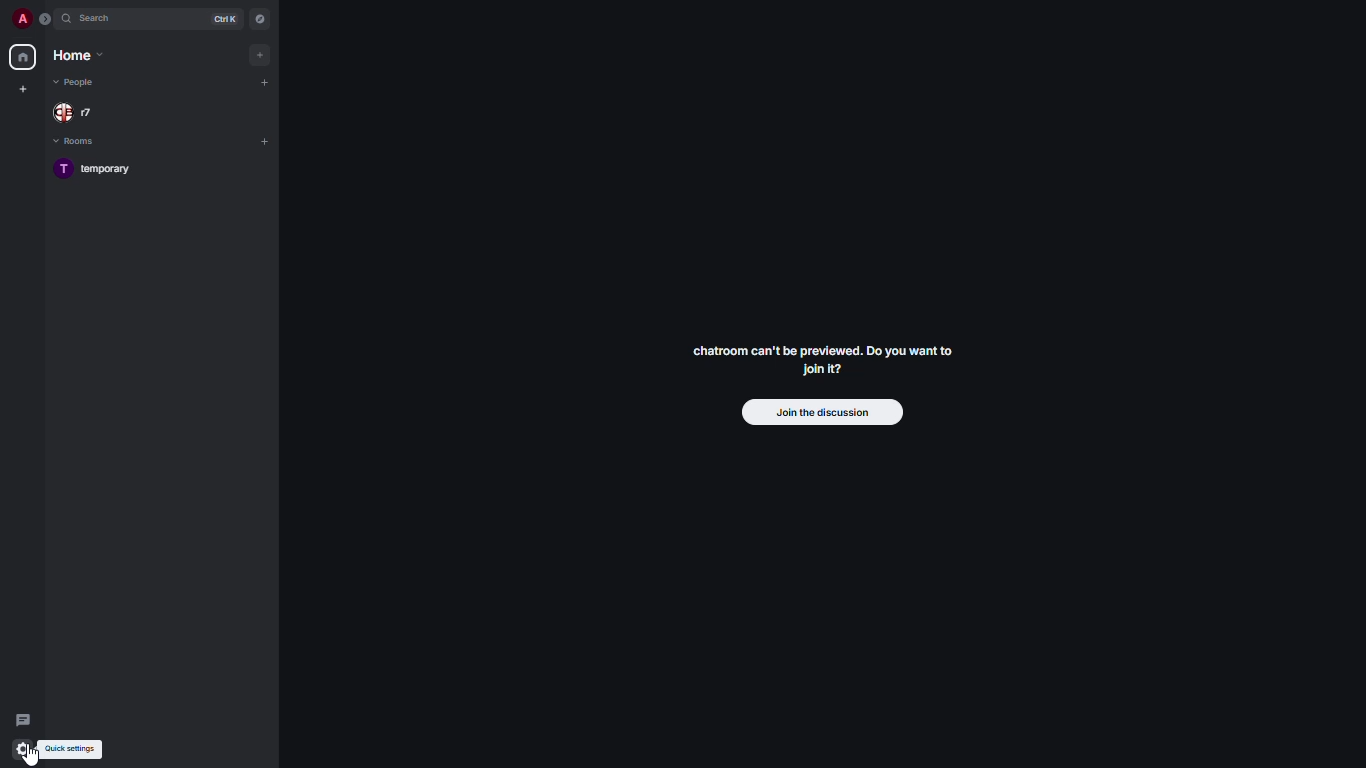  I want to click on search, so click(95, 19).